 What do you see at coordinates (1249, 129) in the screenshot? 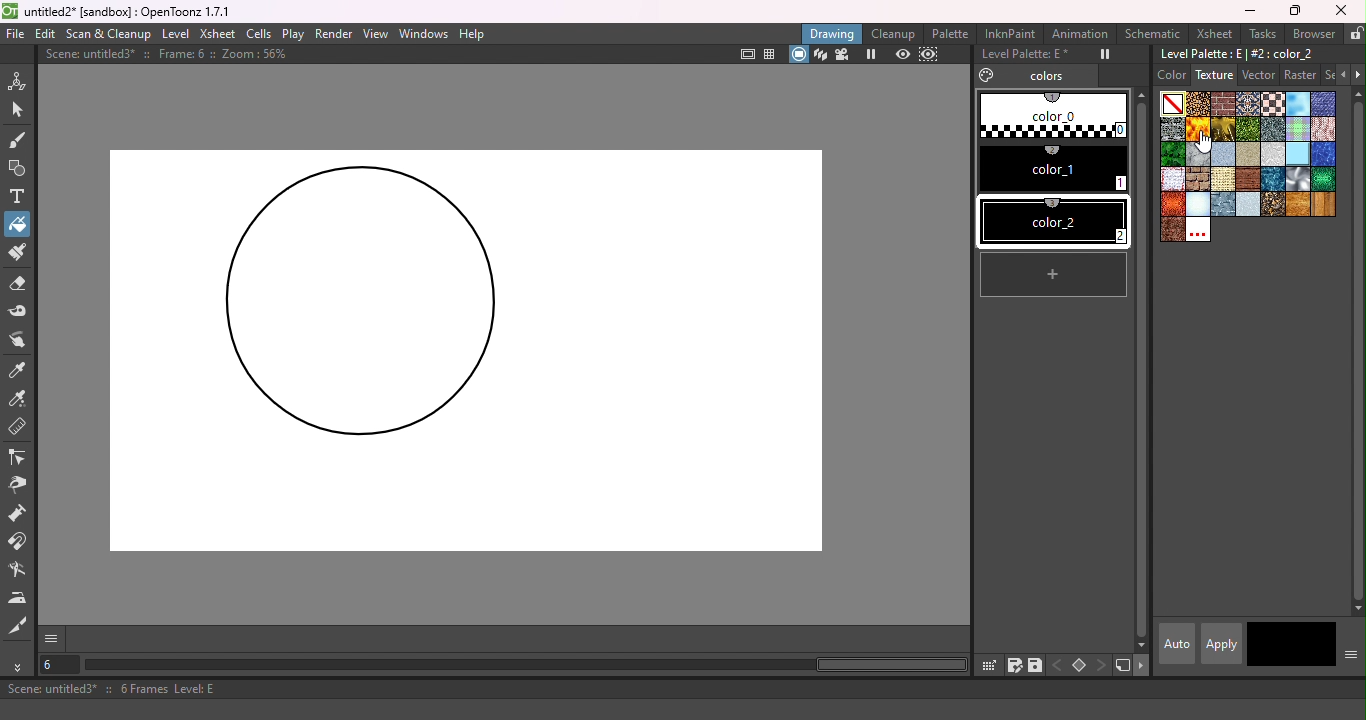
I see `Grass.bmp` at bounding box center [1249, 129].